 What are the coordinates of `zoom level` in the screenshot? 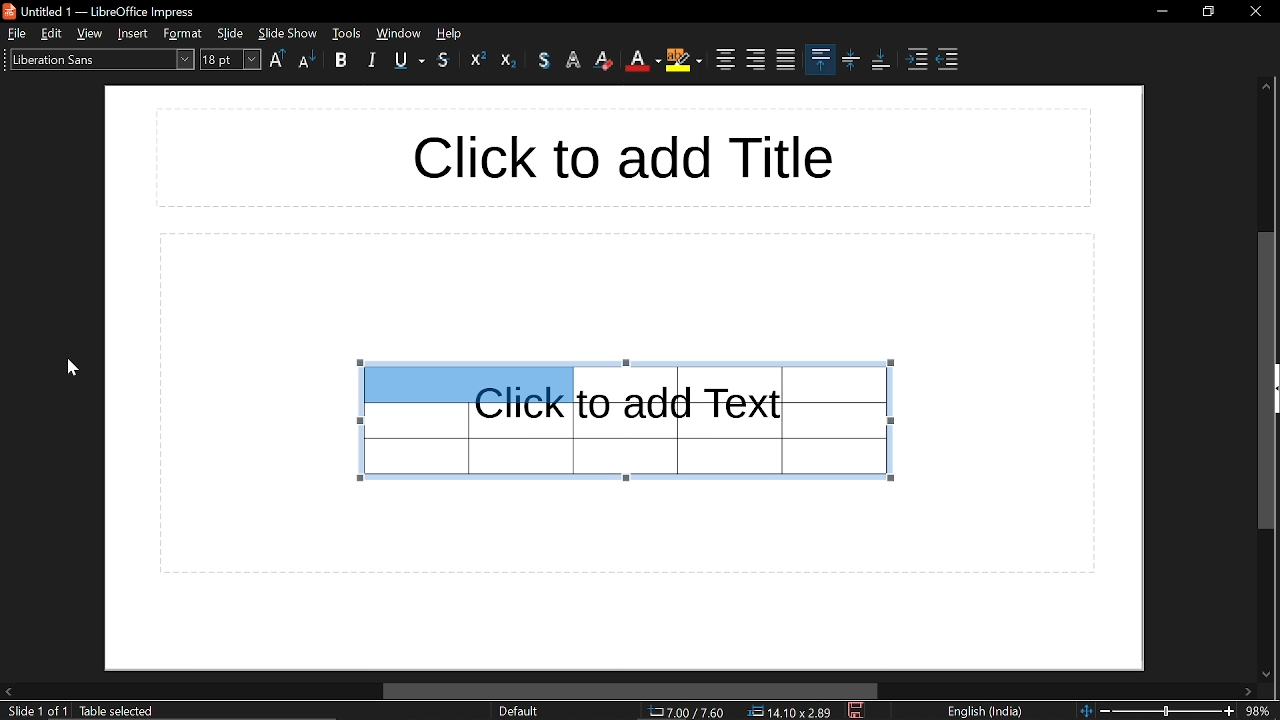 It's located at (1260, 710).